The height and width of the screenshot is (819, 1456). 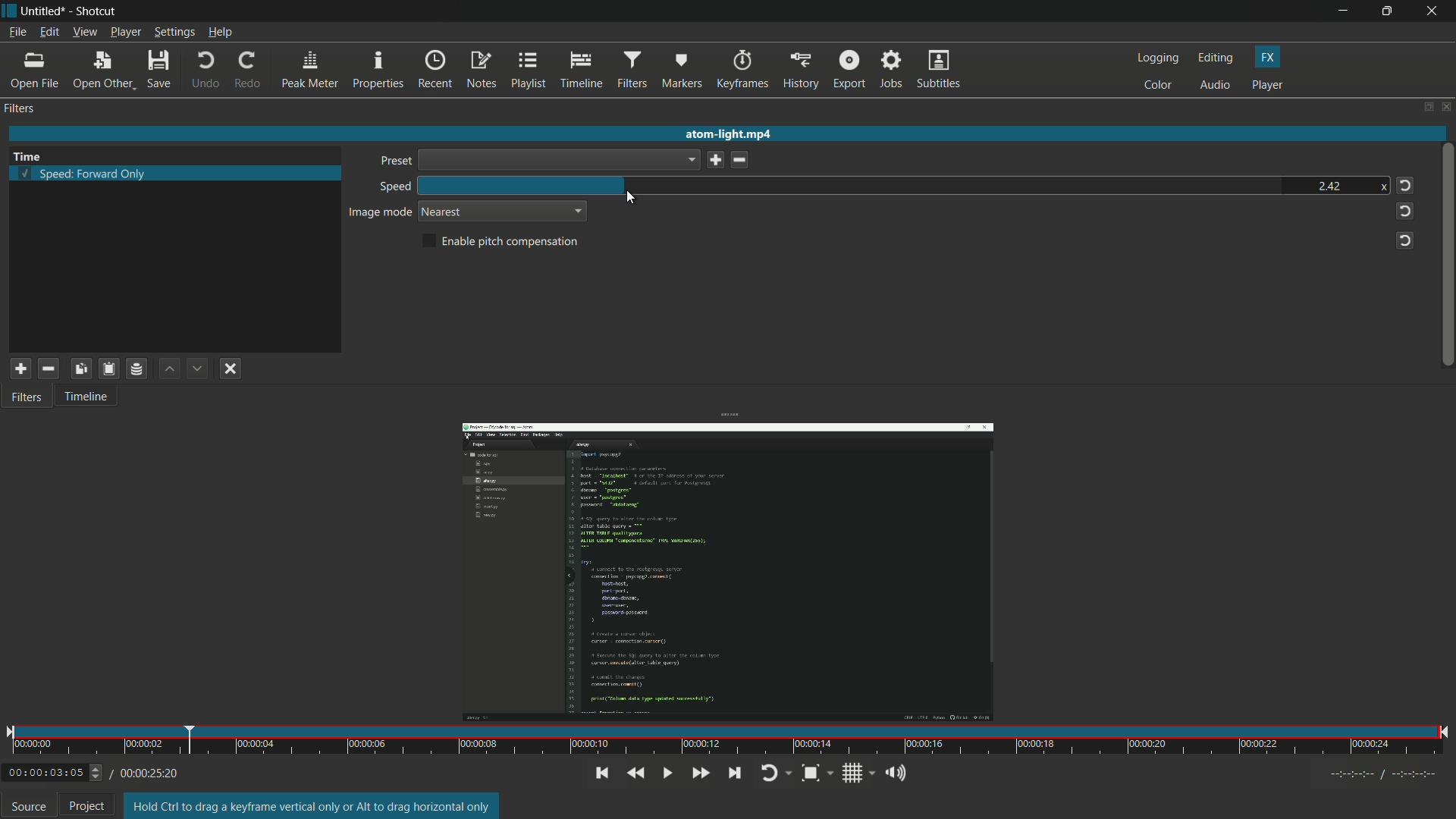 What do you see at coordinates (135, 369) in the screenshot?
I see `save a filter set` at bounding box center [135, 369].